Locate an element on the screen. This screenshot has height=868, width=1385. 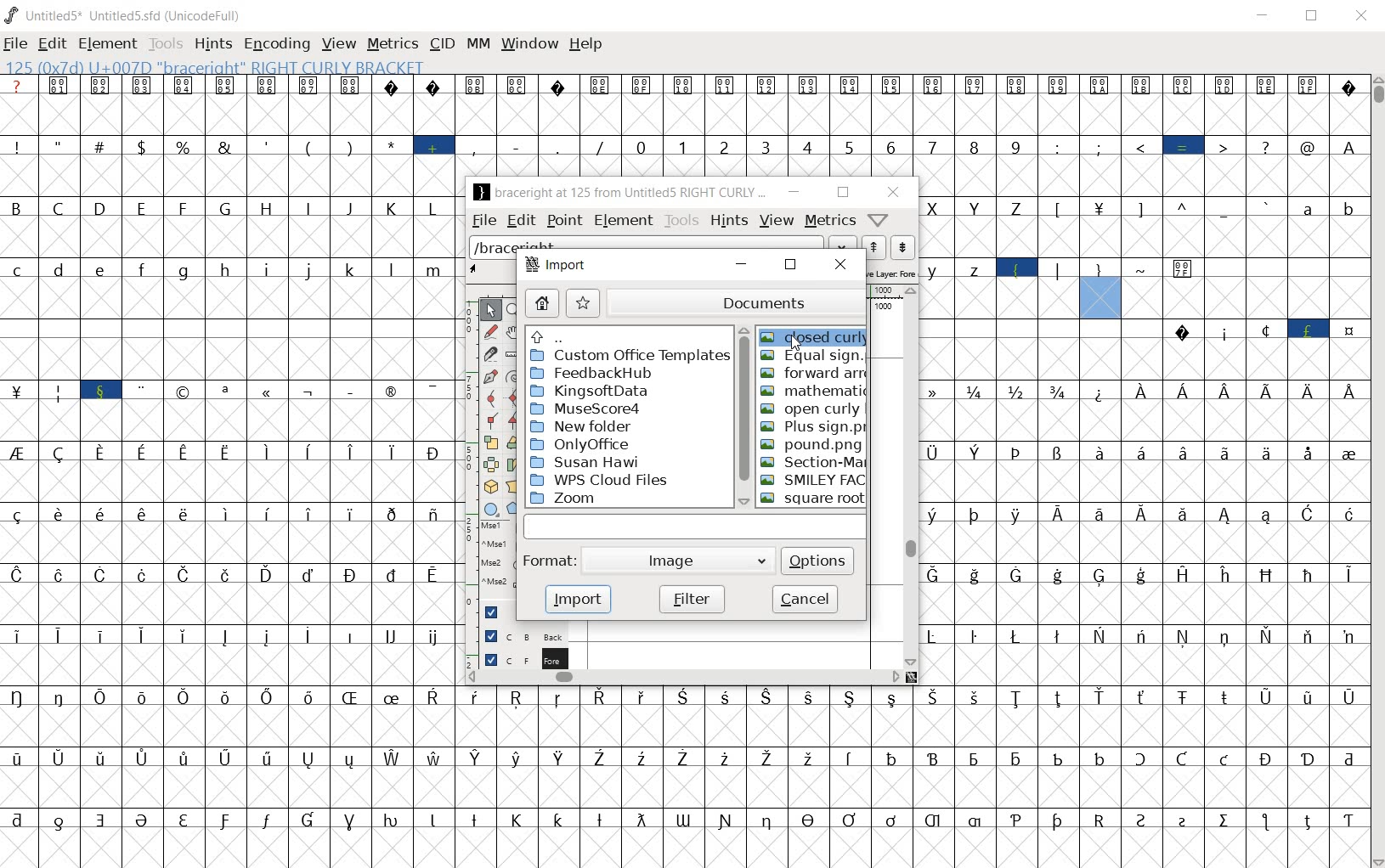
CLOSE is located at coordinates (1359, 15).